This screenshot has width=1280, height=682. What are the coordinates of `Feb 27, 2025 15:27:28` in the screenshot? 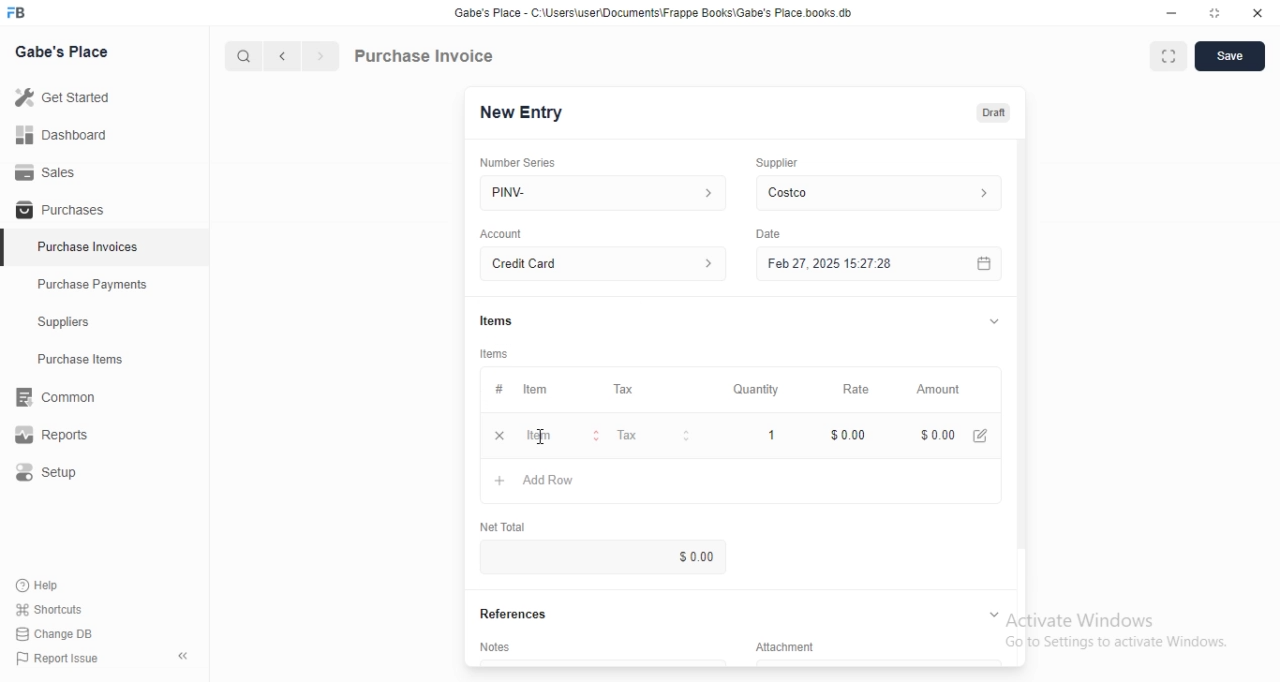 It's located at (879, 263).